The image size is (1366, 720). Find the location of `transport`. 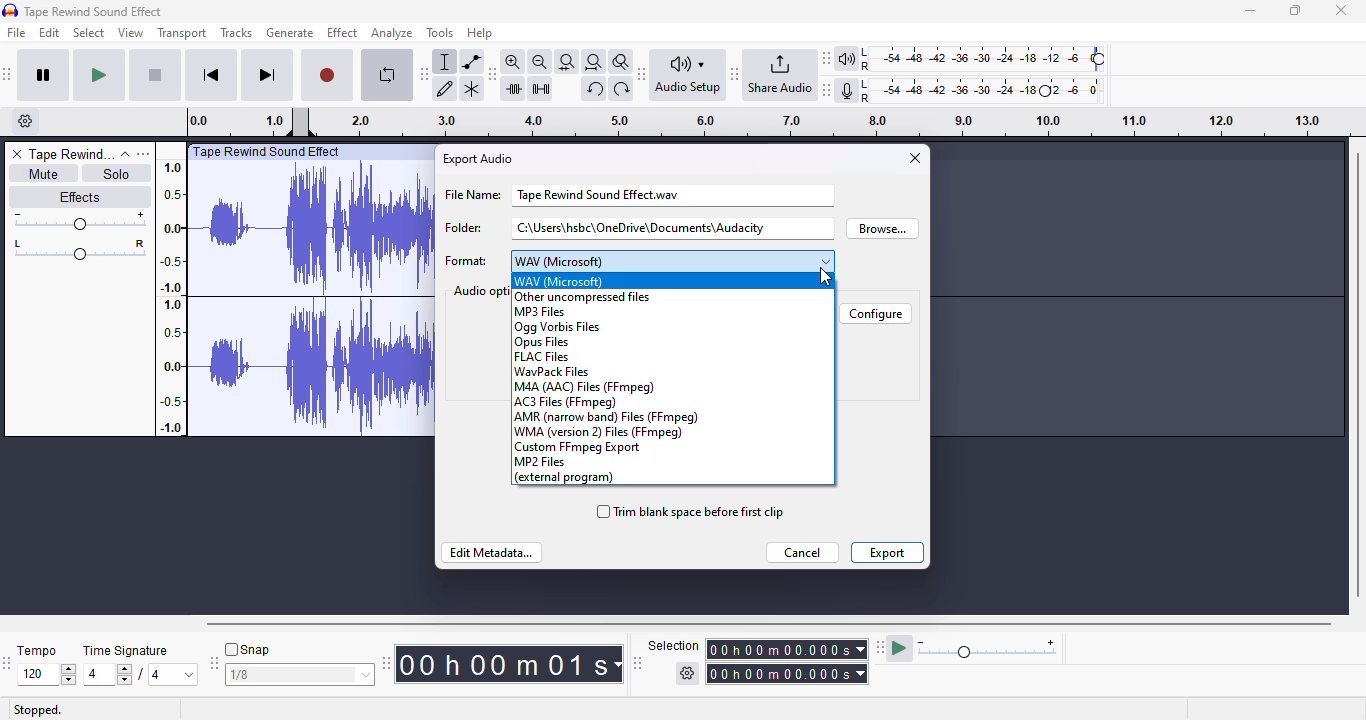

transport is located at coordinates (183, 33).